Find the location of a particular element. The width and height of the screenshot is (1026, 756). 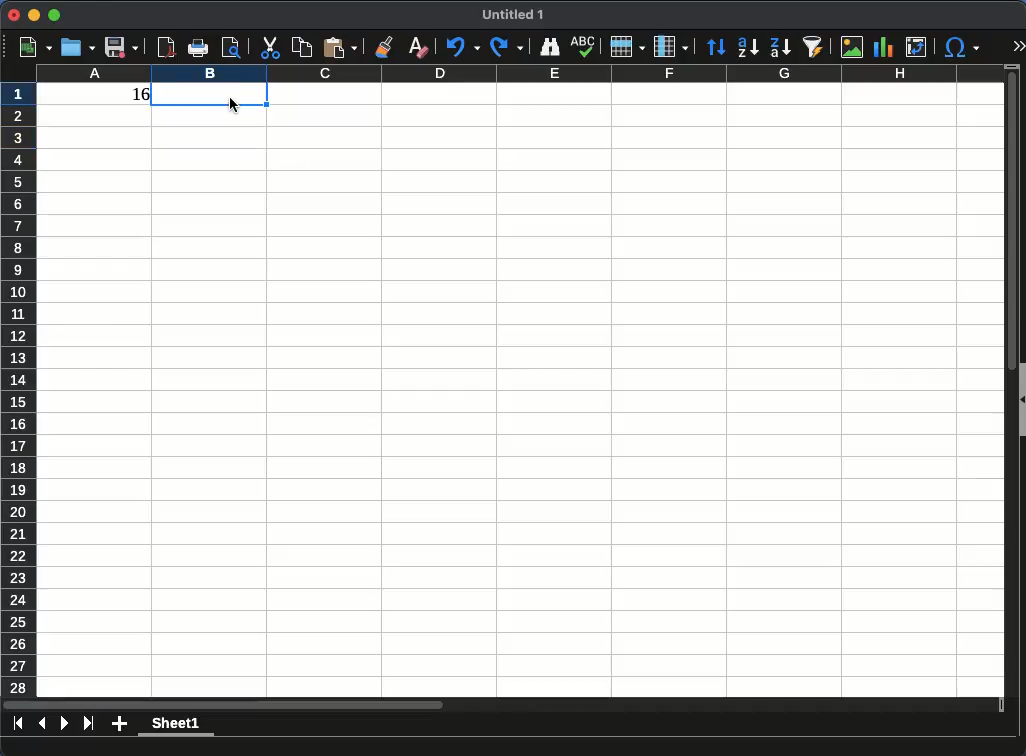

open is located at coordinates (76, 48).